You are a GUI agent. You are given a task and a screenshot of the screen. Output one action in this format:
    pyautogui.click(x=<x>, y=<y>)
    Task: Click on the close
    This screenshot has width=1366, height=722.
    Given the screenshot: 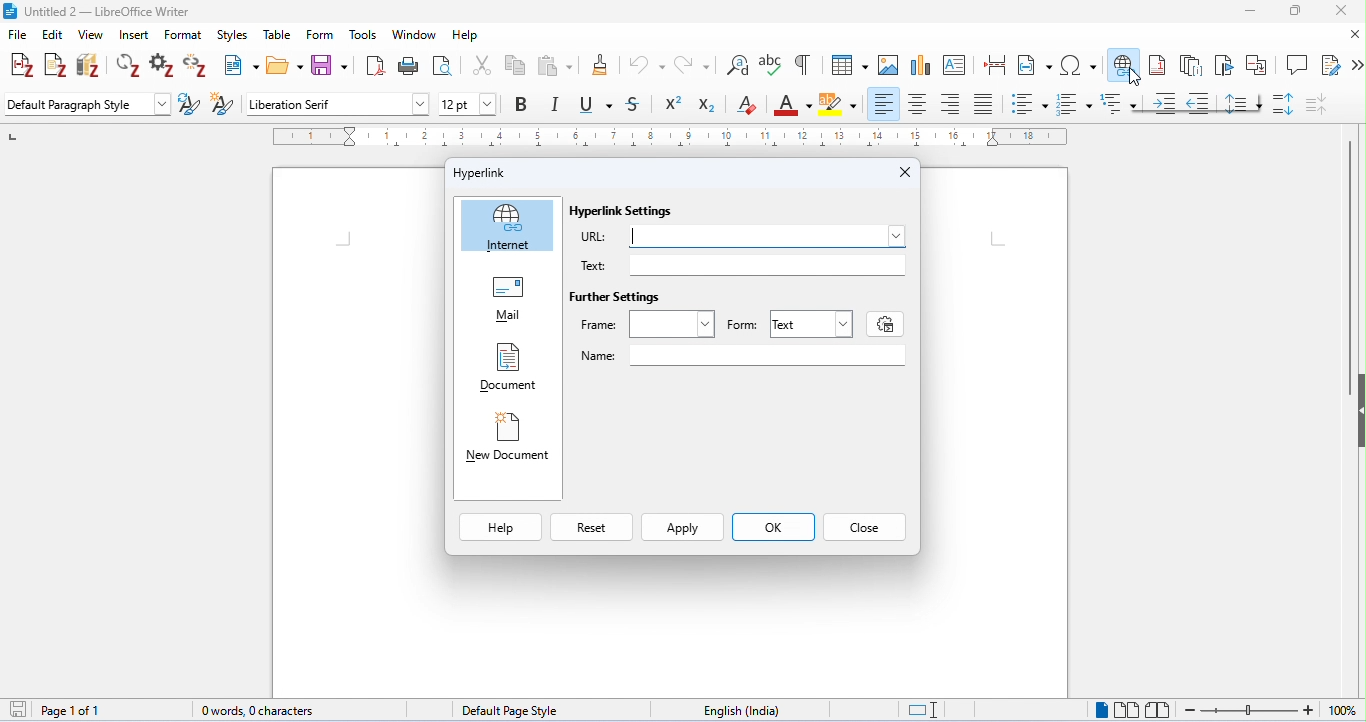 What is the action you would take?
    pyautogui.click(x=1338, y=11)
    